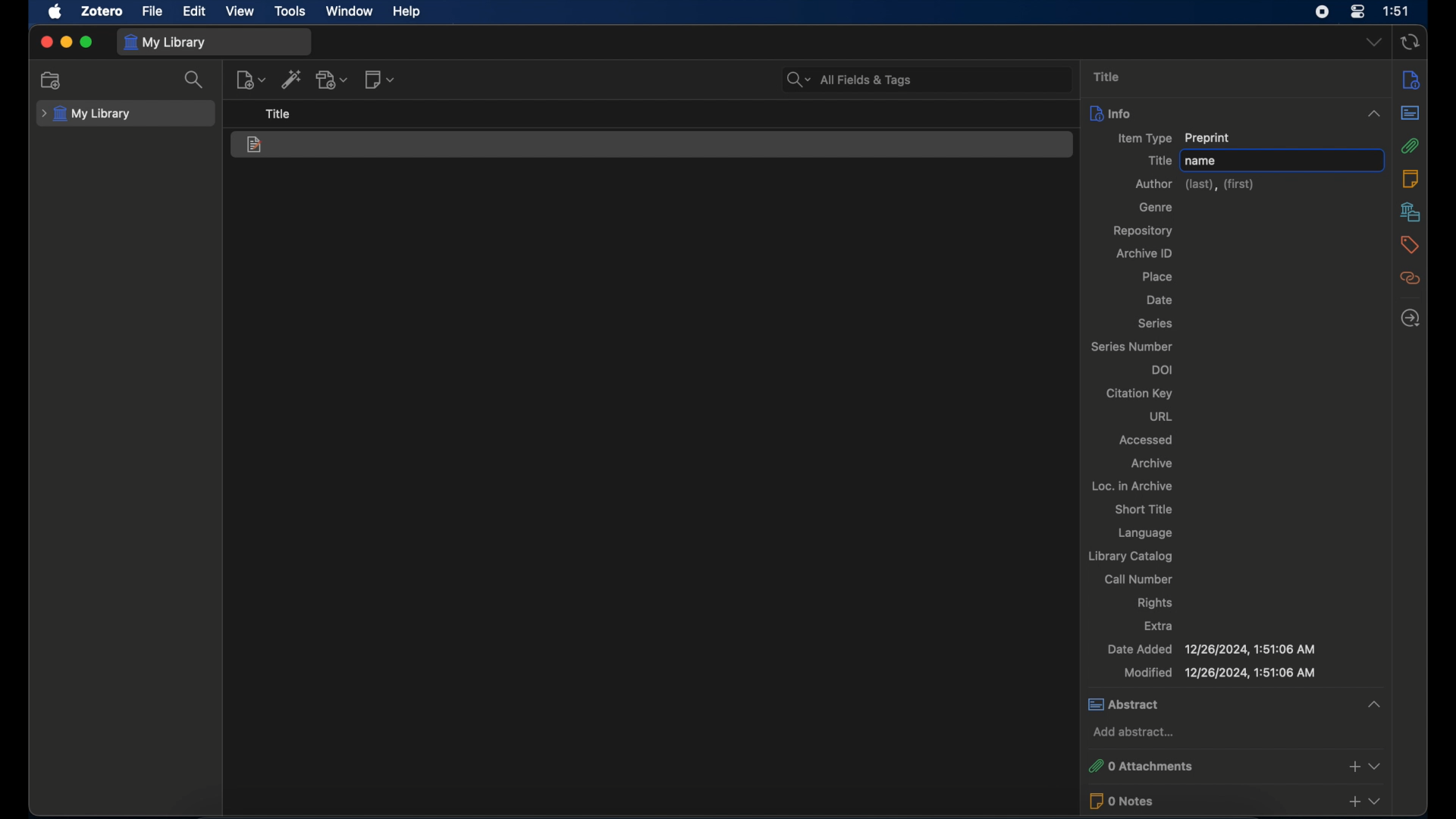 The width and height of the screenshot is (1456, 819). What do you see at coordinates (1234, 767) in the screenshot?
I see `0 attachments` at bounding box center [1234, 767].